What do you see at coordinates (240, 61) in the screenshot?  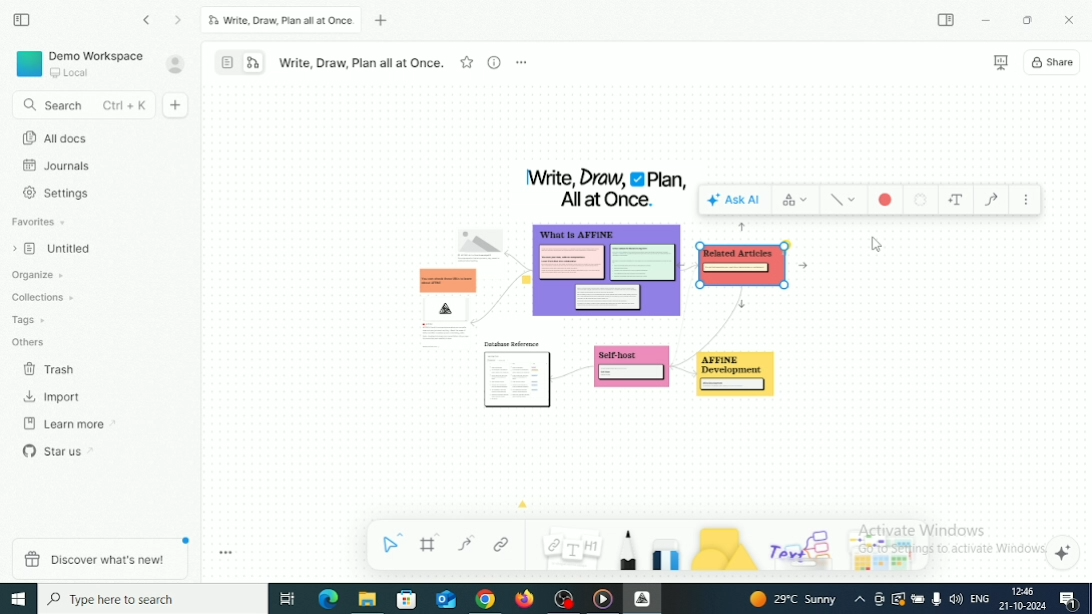 I see `Switch` at bounding box center [240, 61].